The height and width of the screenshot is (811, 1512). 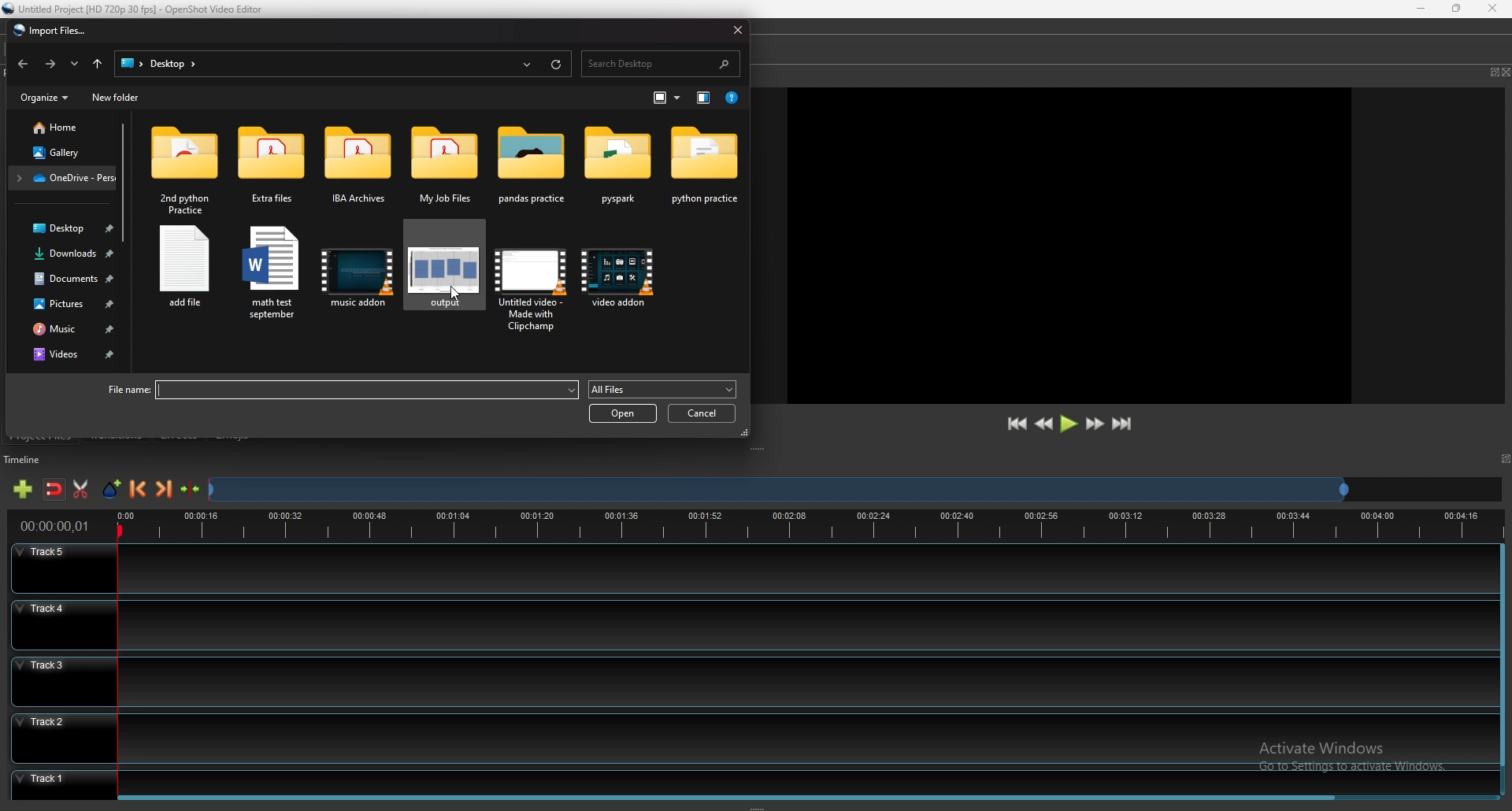 What do you see at coordinates (1069, 423) in the screenshot?
I see `play` at bounding box center [1069, 423].